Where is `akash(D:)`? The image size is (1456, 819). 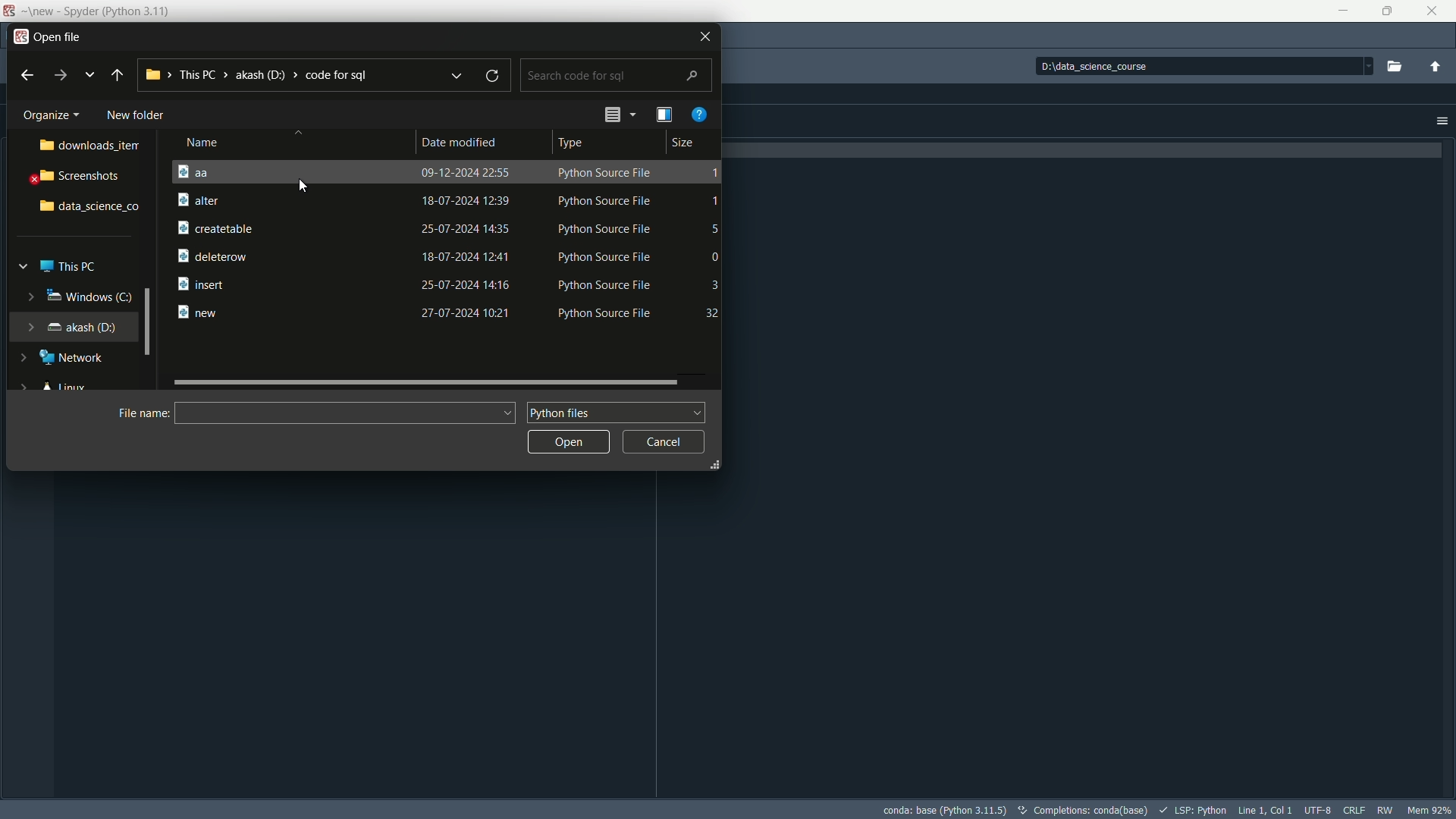
akash(D:) is located at coordinates (86, 327).